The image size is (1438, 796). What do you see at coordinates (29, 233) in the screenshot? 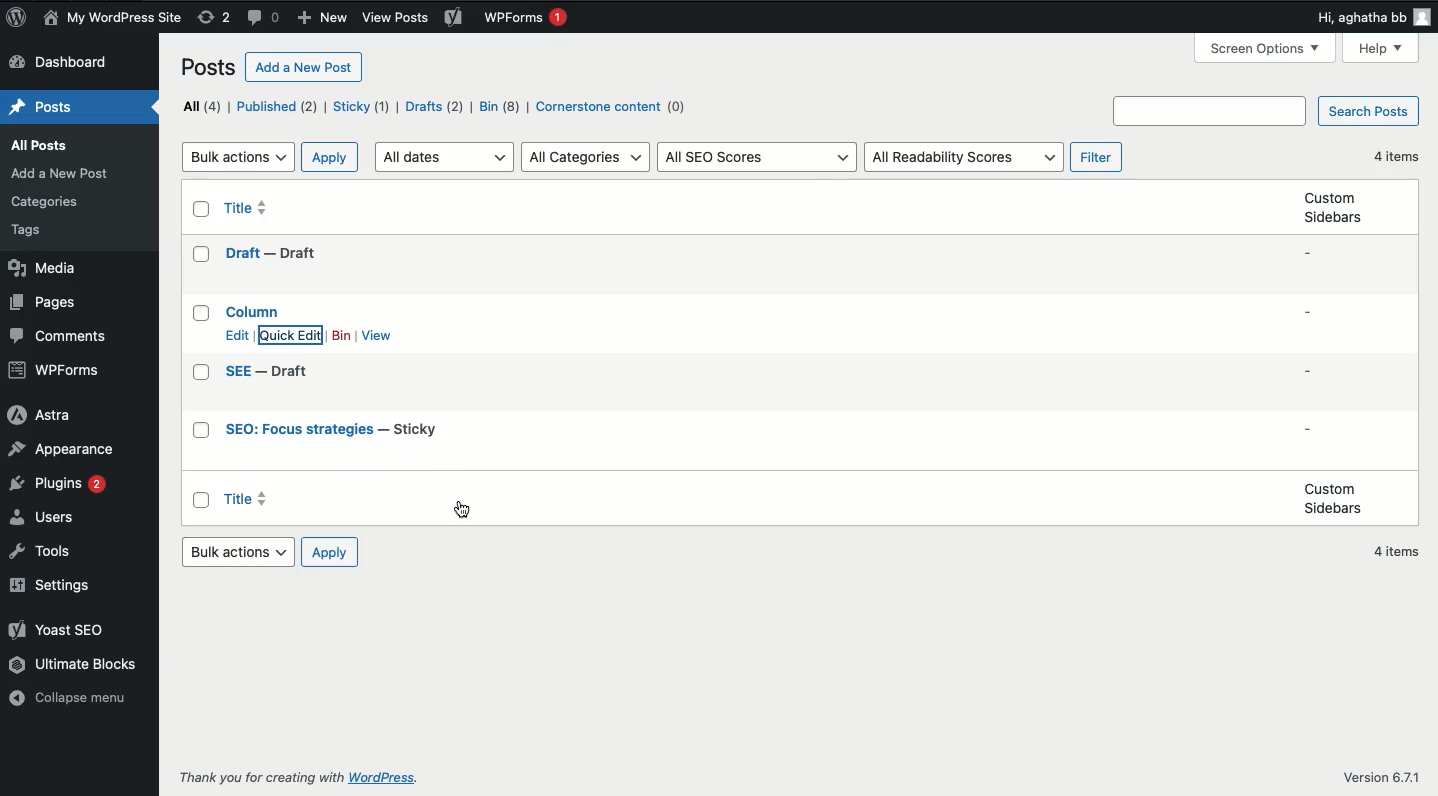
I see `` at bounding box center [29, 233].